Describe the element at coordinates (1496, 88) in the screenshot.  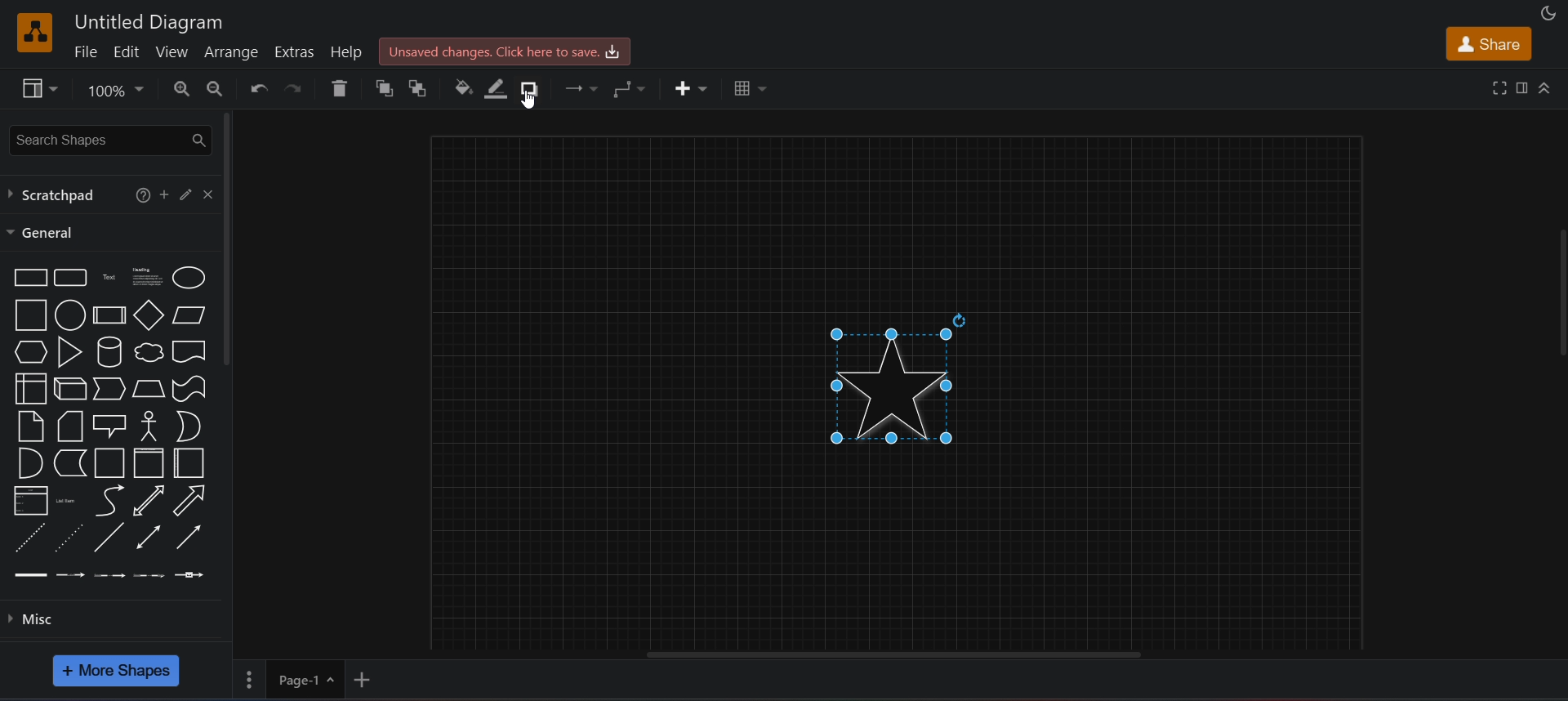
I see `fullscreen` at that location.